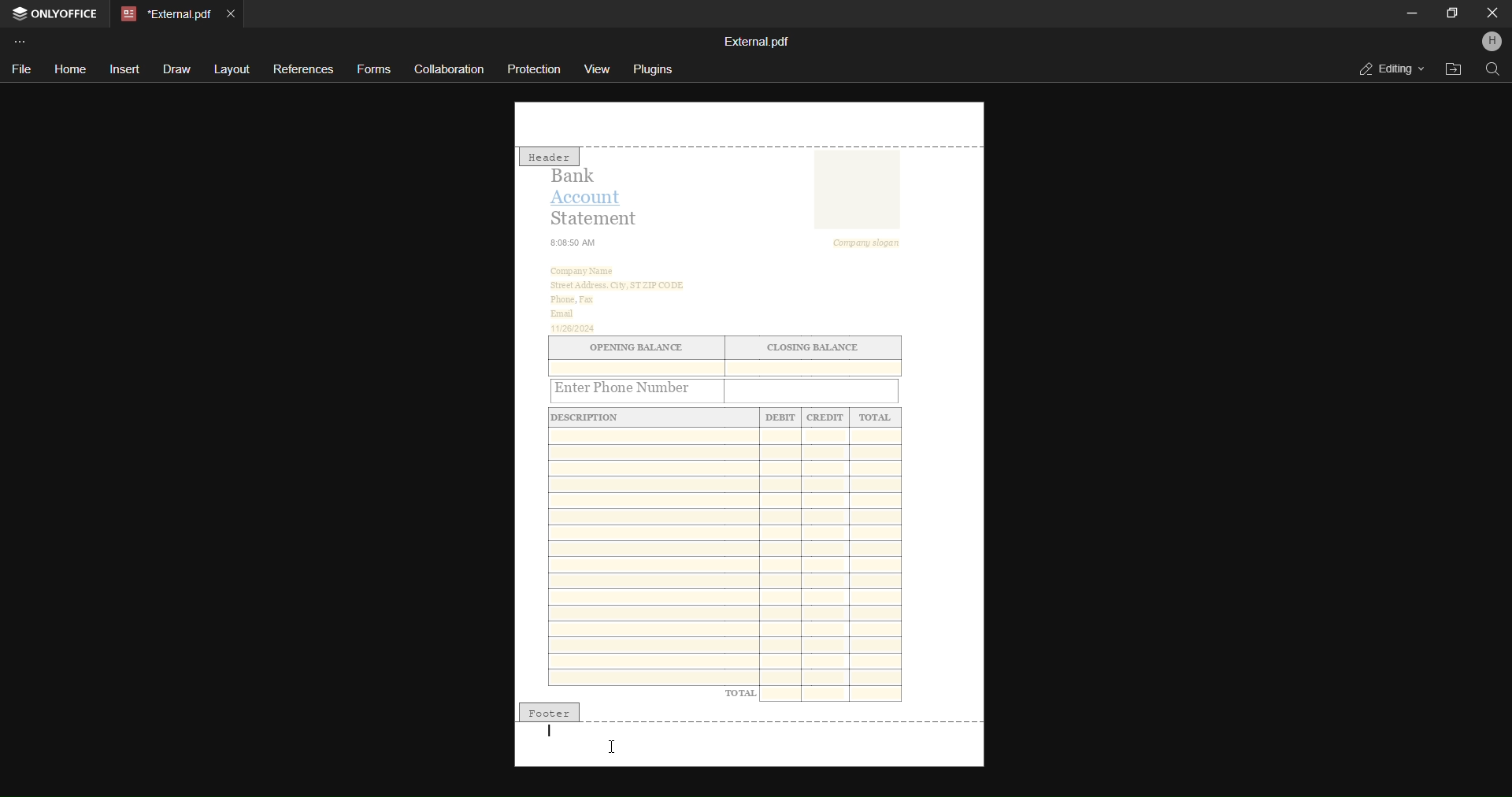 Image resolution: width=1512 pixels, height=797 pixels. What do you see at coordinates (748, 123) in the screenshot?
I see `header section` at bounding box center [748, 123].